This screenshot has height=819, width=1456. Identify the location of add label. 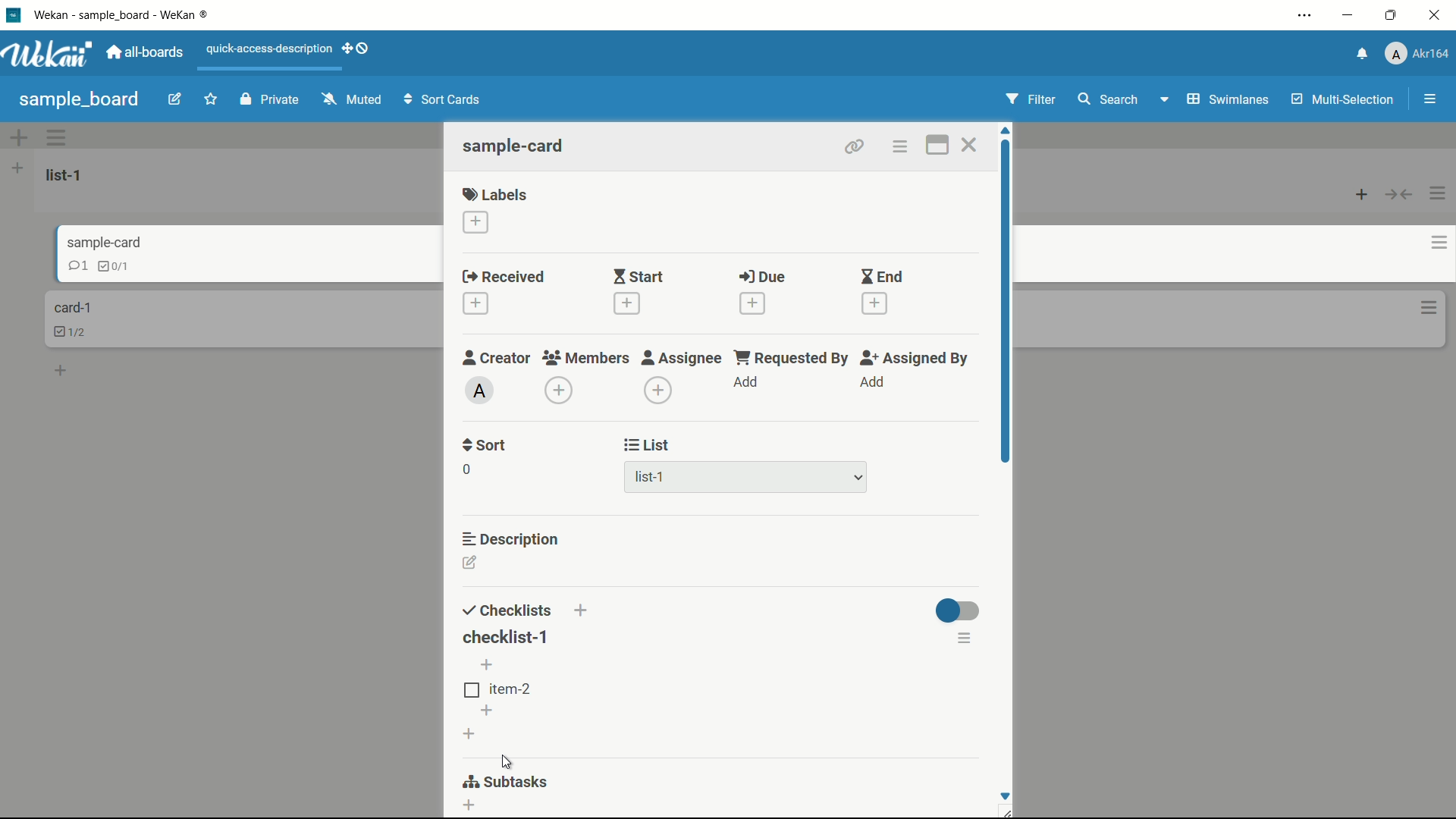
(476, 222).